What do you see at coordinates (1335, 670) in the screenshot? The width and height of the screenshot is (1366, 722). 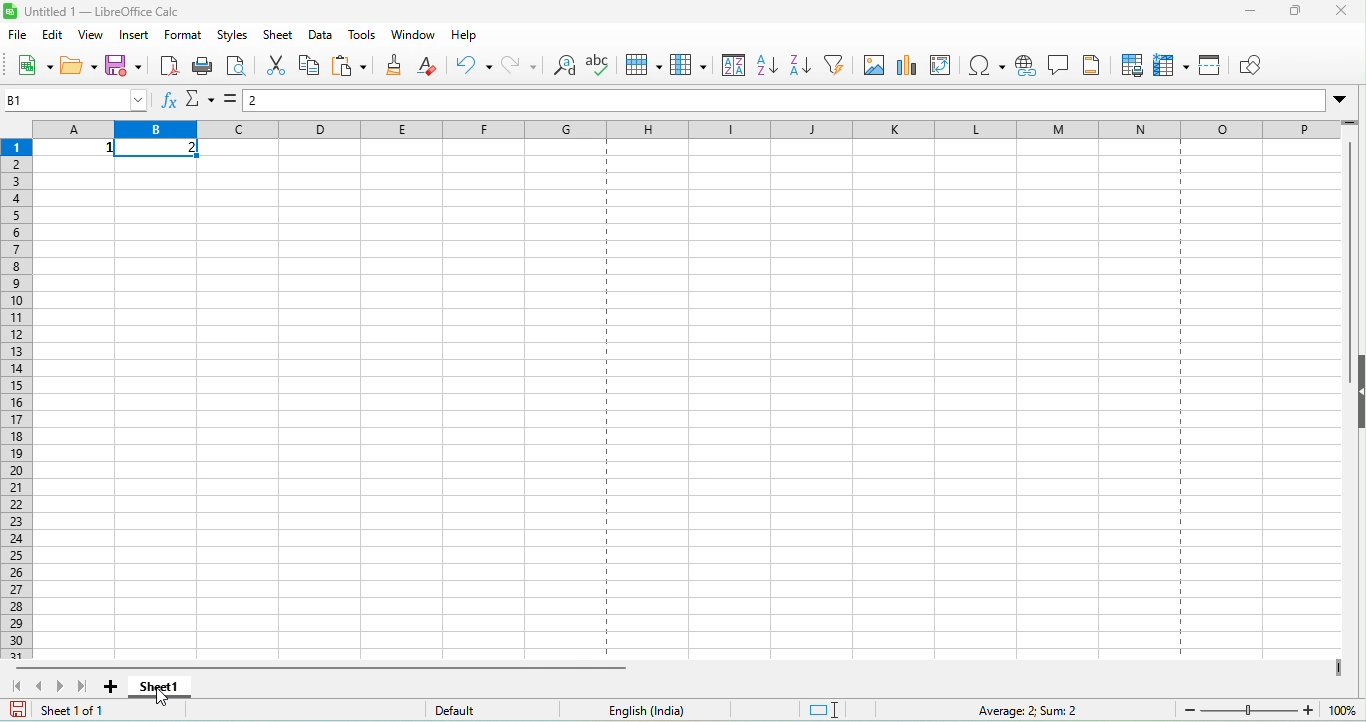 I see `drag to view more colums` at bounding box center [1335, 670].